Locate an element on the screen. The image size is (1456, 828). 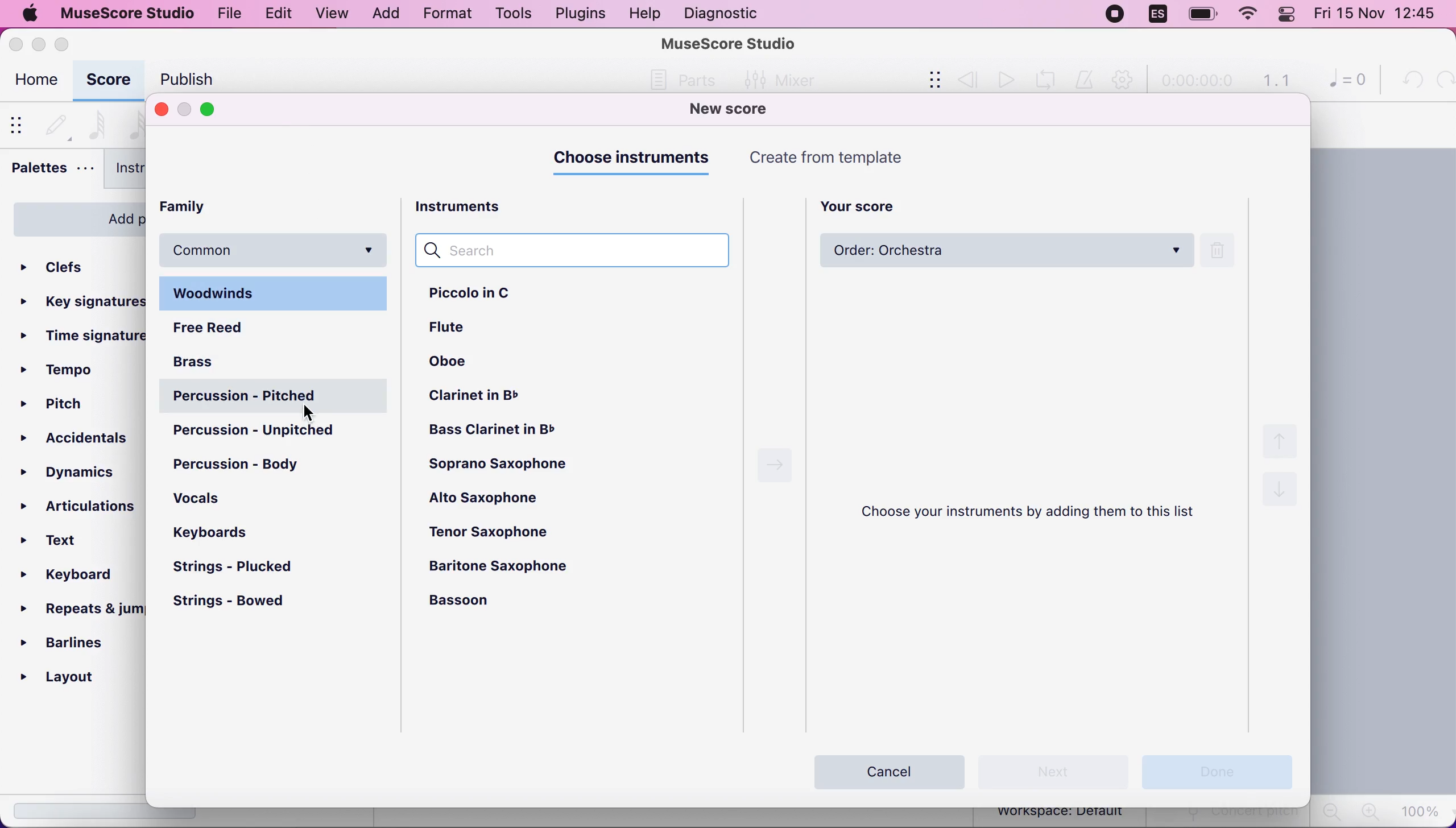
common is located at coordinates (276, 250).